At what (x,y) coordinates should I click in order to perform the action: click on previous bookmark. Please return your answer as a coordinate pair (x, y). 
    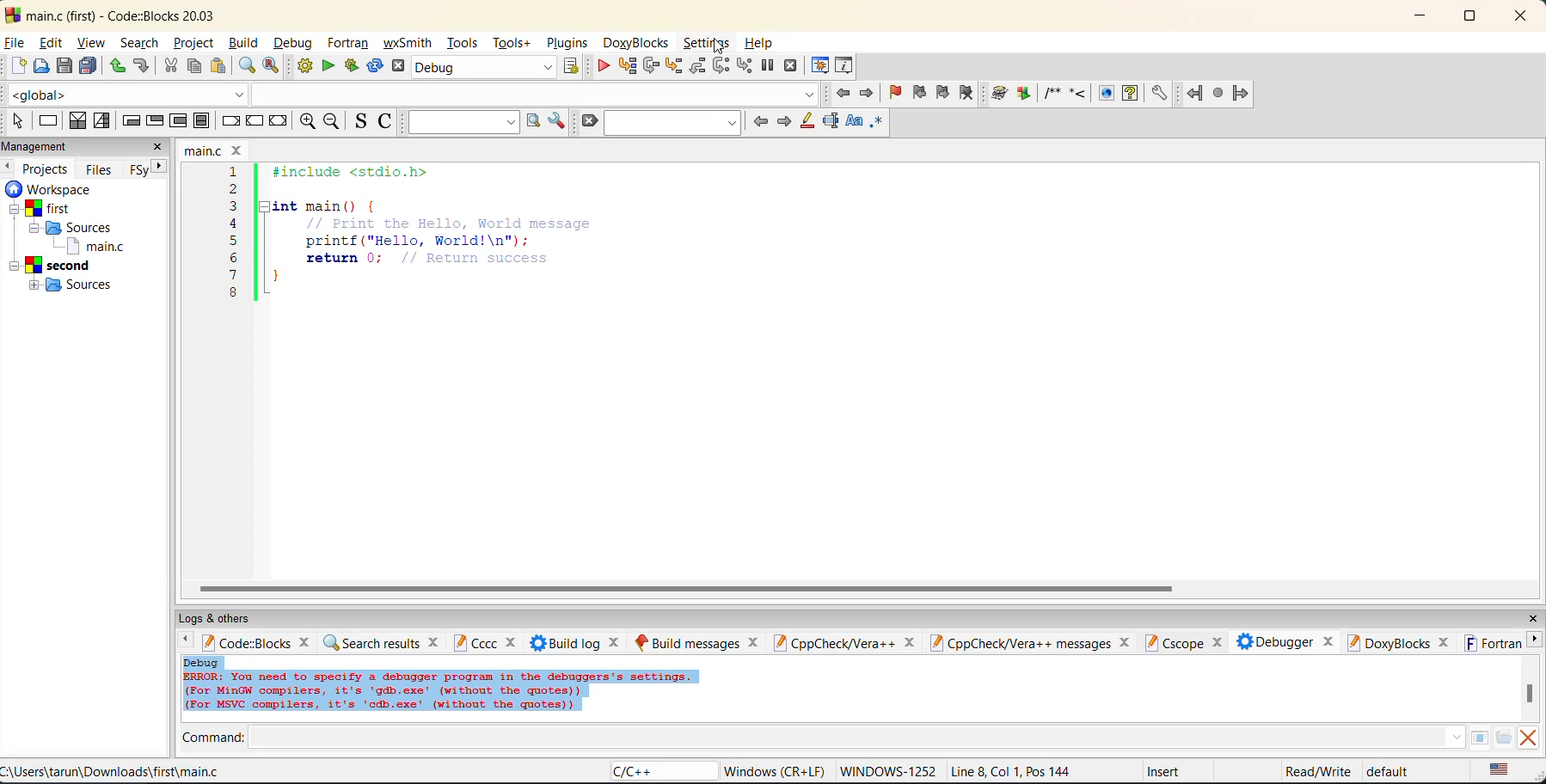
    Looking at the image, I should click on (920, 92).